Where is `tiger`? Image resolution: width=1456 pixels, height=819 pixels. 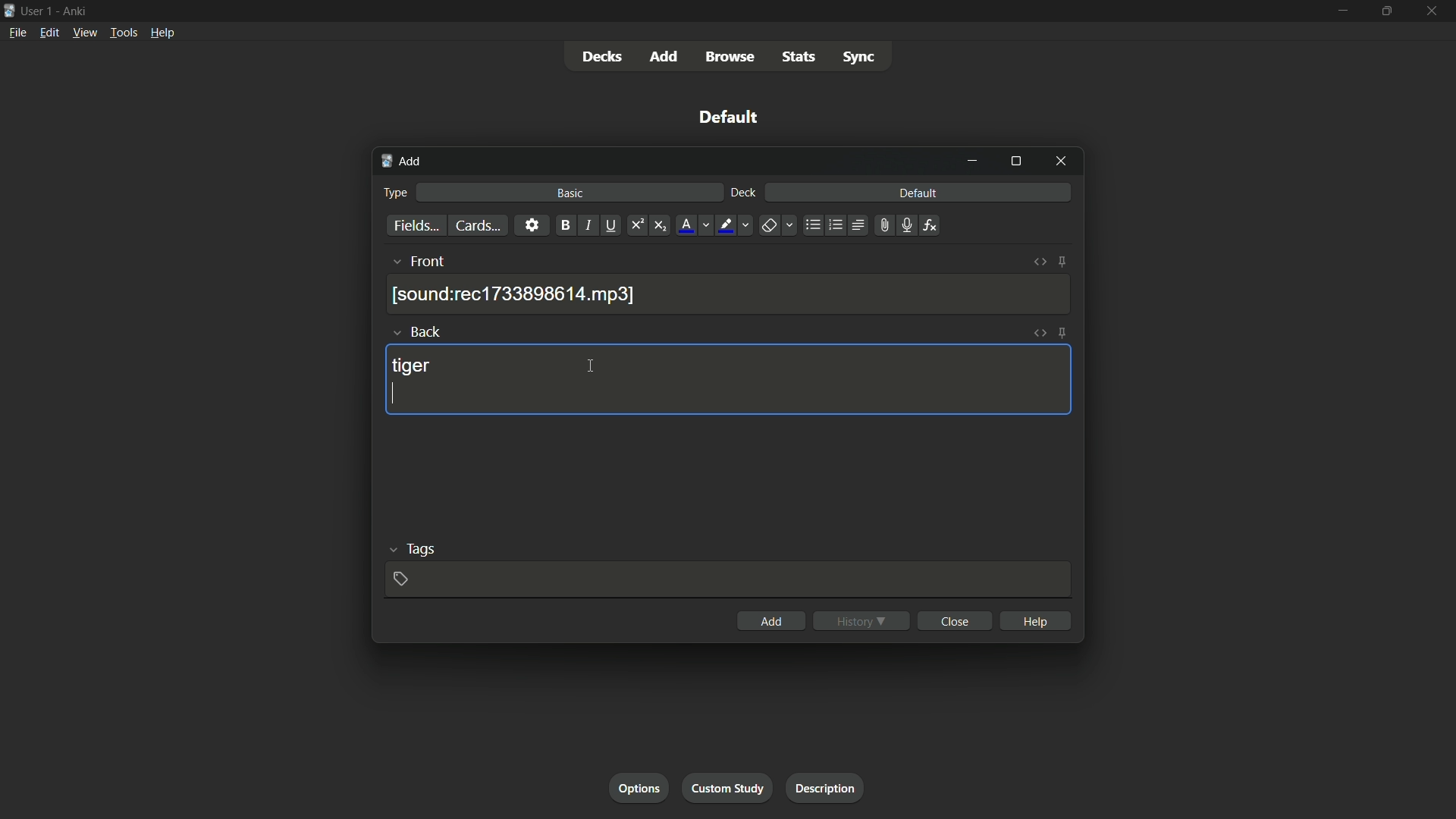 tiger is located at coordinates (410, 367).